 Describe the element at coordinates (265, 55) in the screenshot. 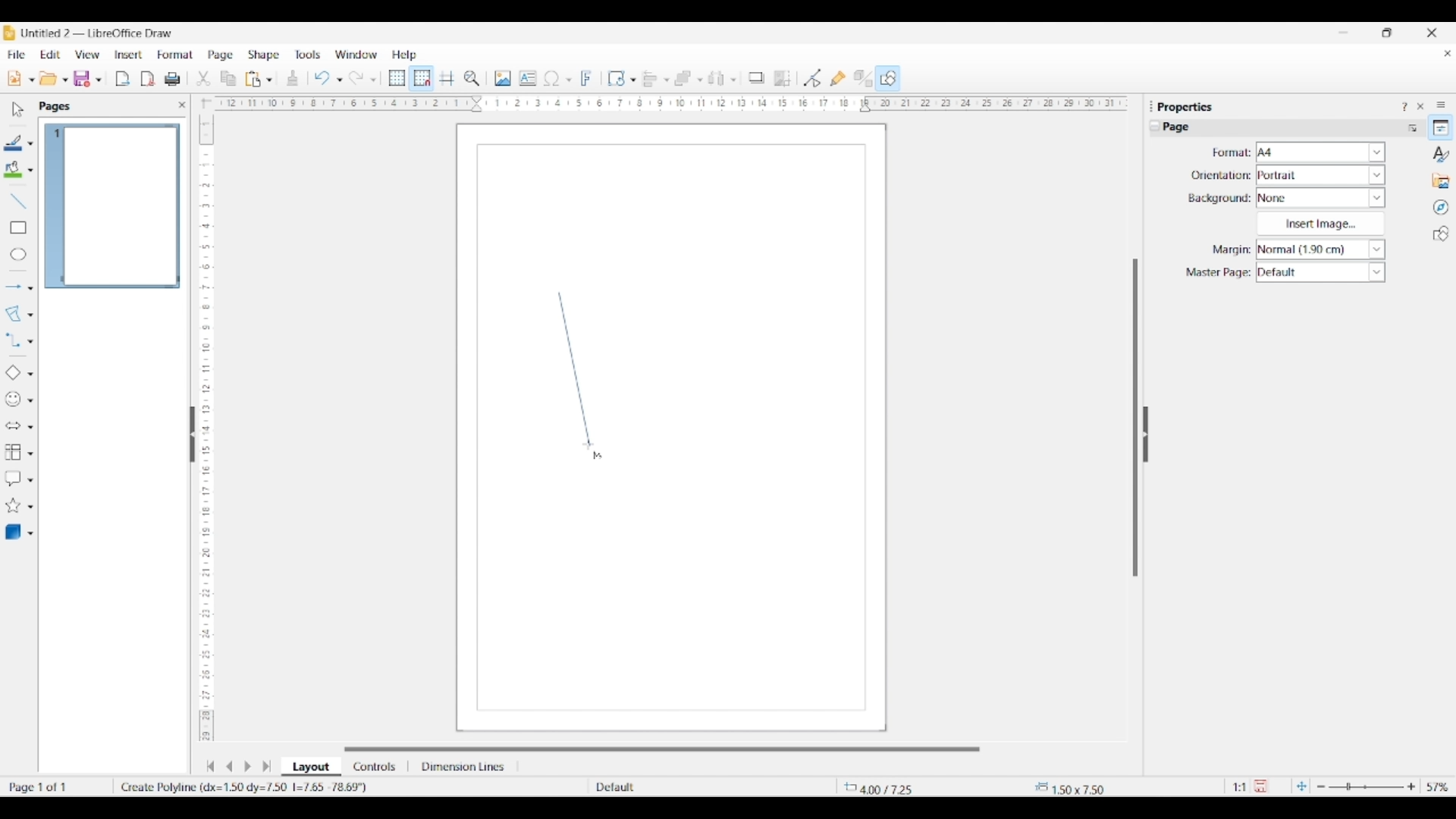

I see `Shape` at that location.